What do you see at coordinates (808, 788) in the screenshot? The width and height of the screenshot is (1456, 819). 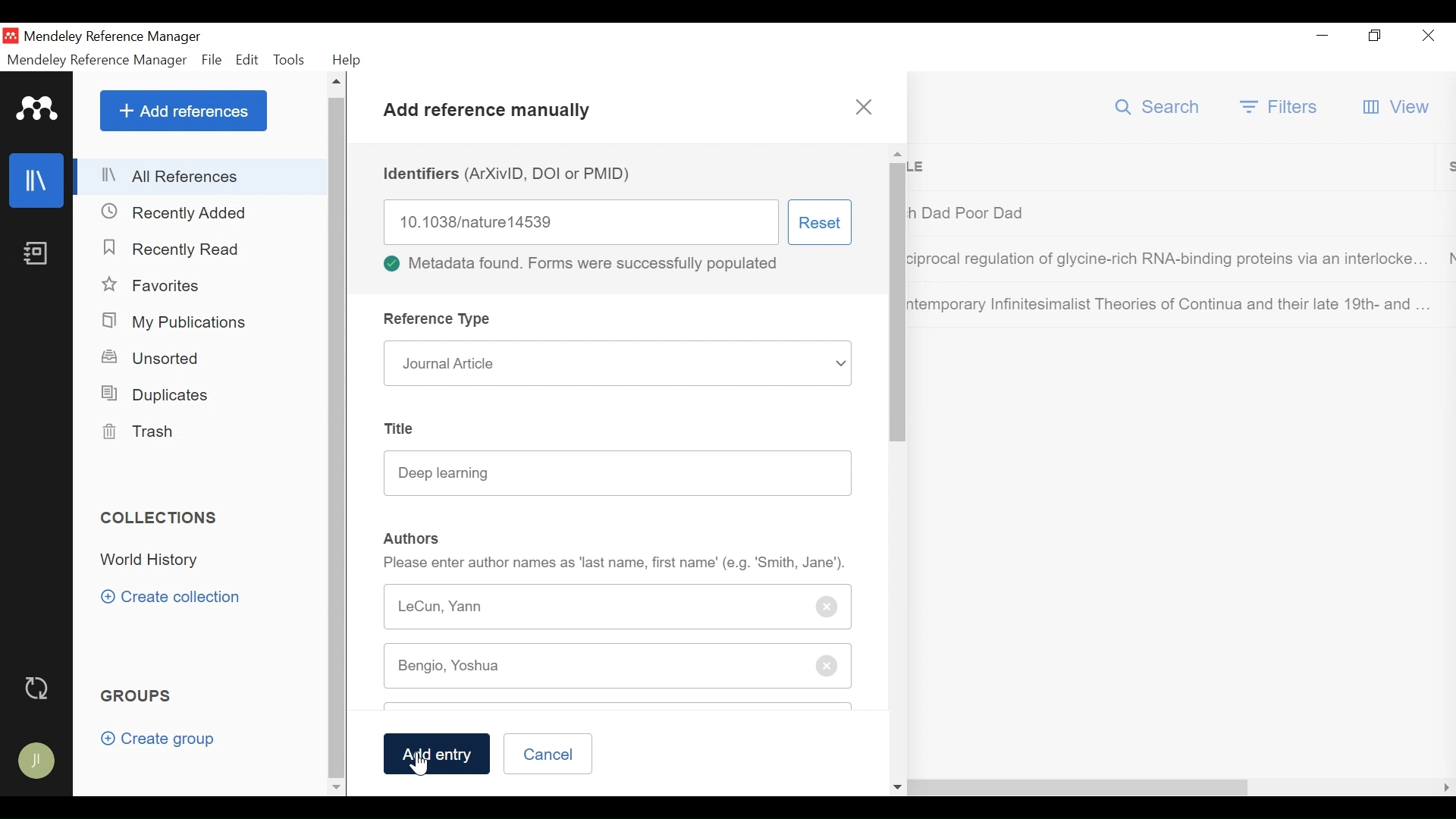 I see `Horizontal Scroll bar` at bounding box center [808, 788].